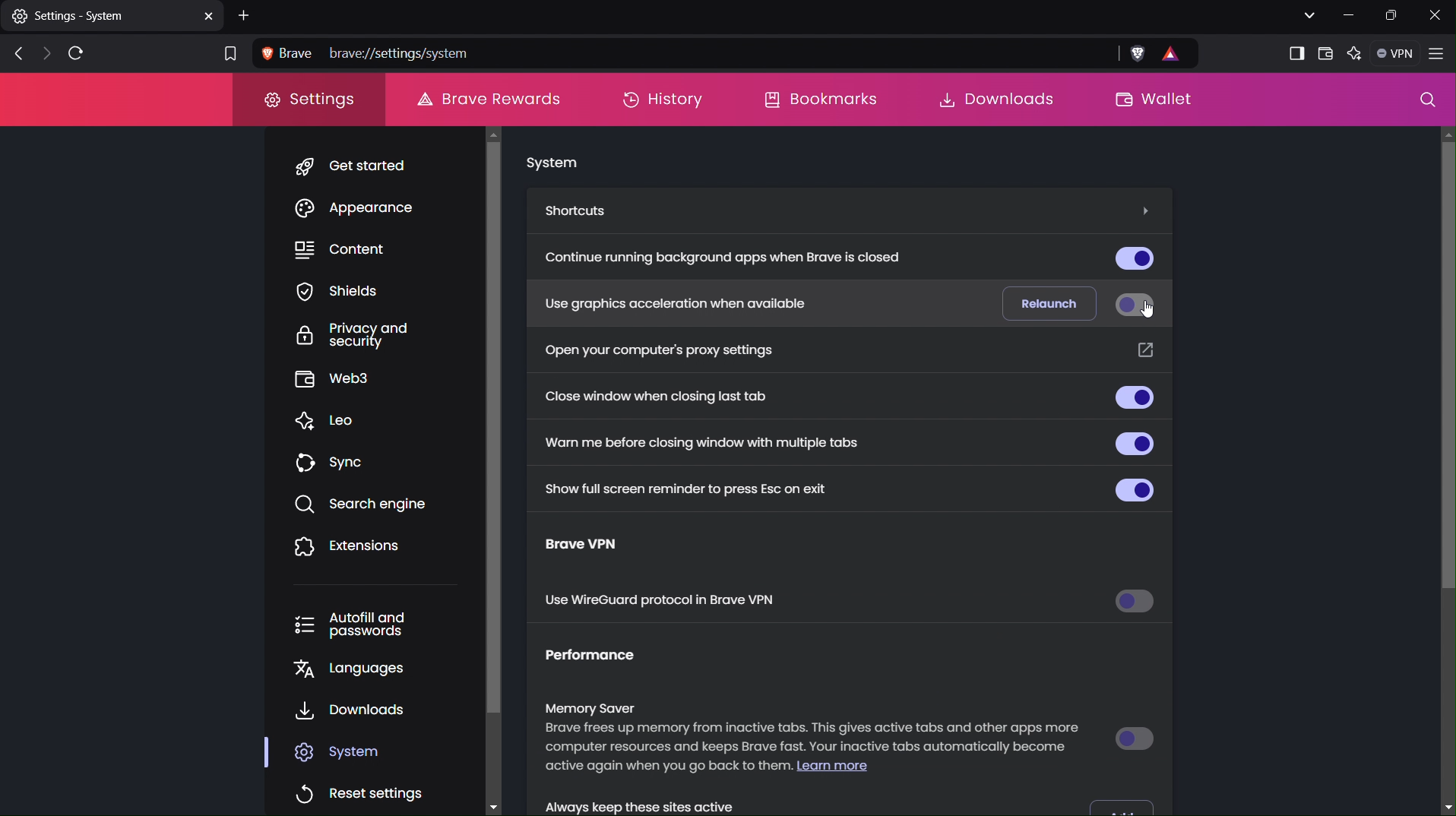 The height and width of the screenshot is (816, 1456). What do you see at coordinates (504, 467) in the screenshot?
I see `Scrollbar` at bounding box center [504, 467].